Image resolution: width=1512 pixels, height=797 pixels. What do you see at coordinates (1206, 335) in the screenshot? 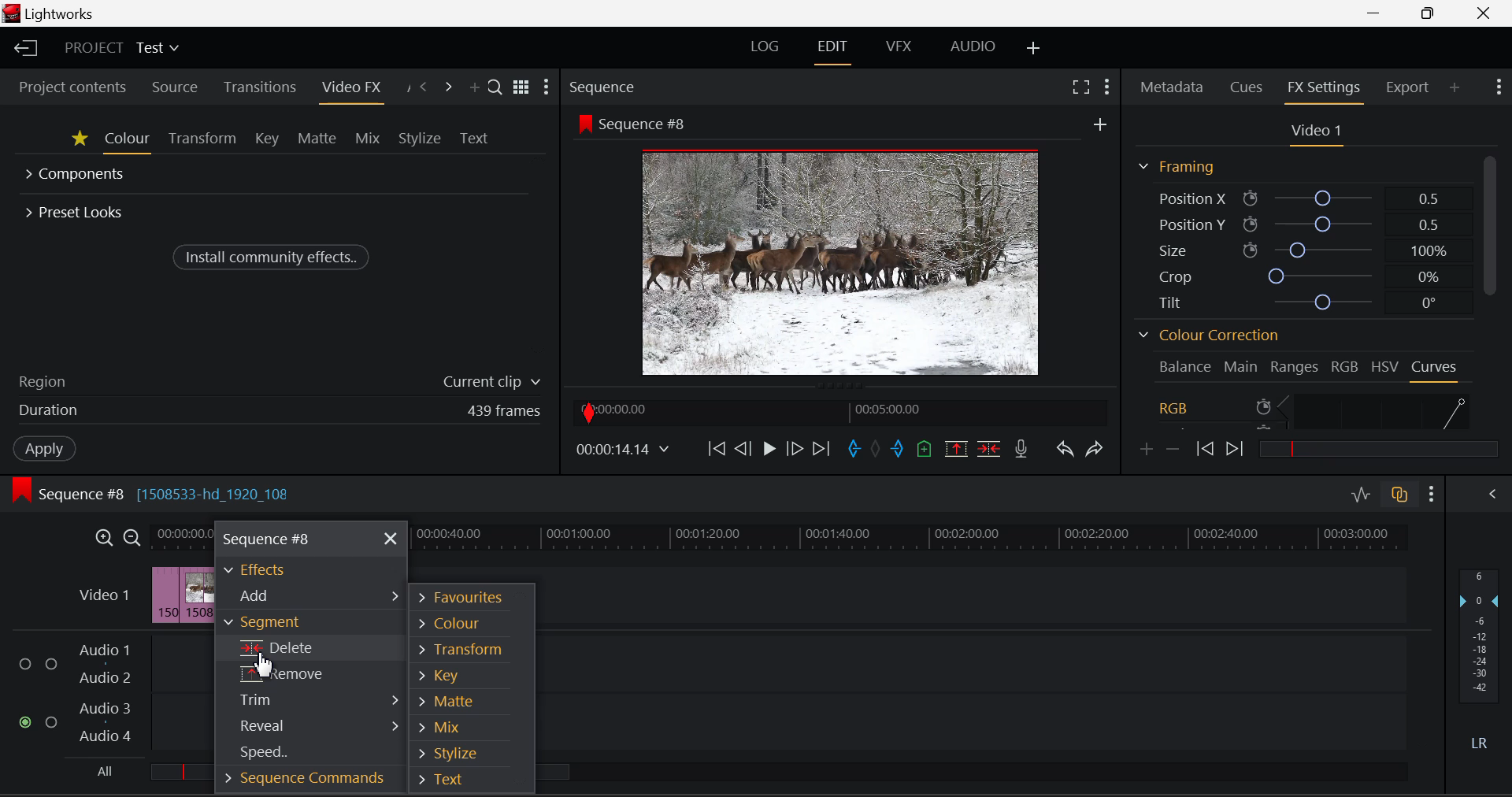
I see `Colour Correction` at bounding box center [1206, 335].